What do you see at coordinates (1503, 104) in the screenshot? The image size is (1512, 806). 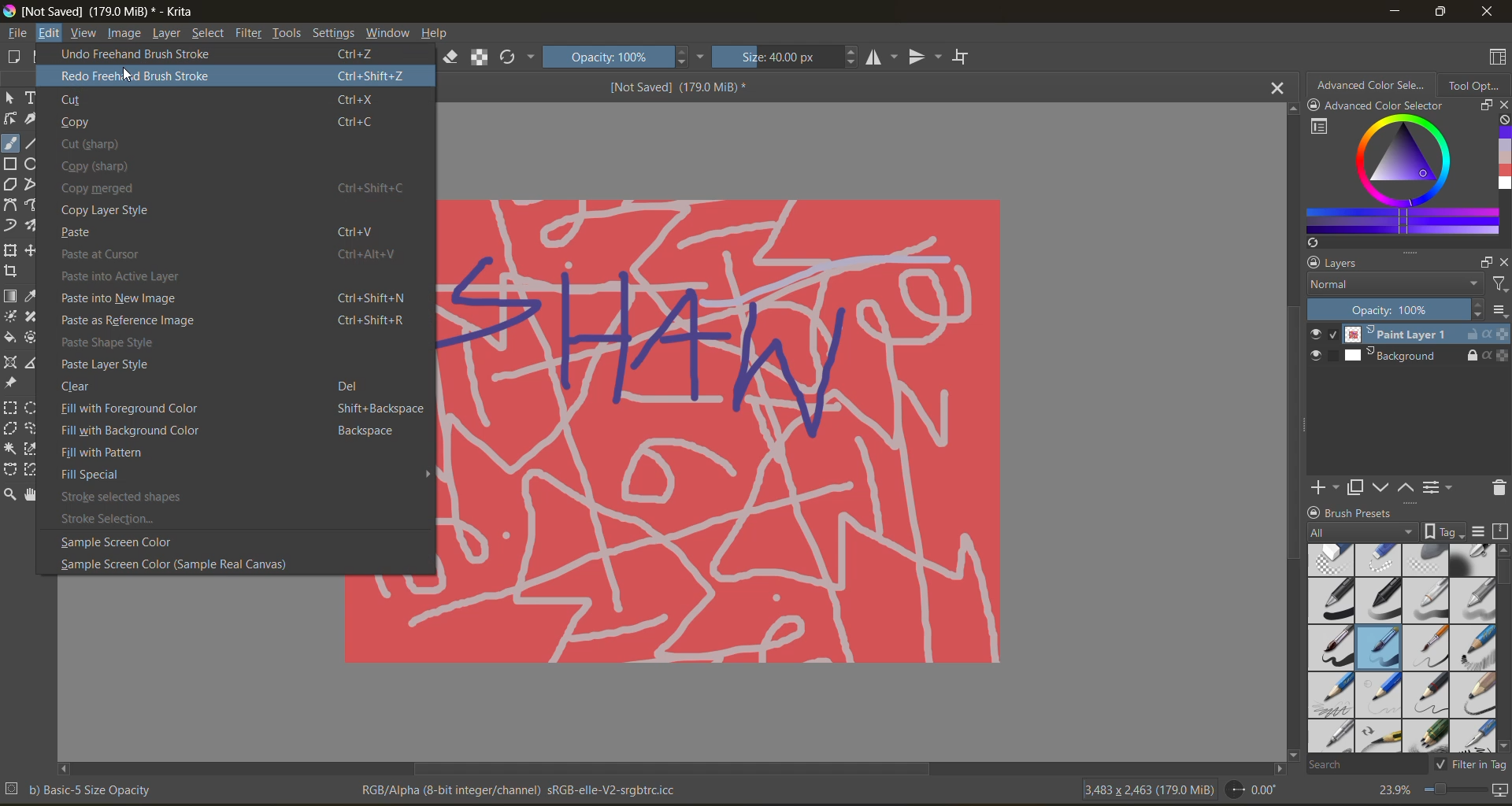 I see `close docker` at bounding box center [1503, 104].